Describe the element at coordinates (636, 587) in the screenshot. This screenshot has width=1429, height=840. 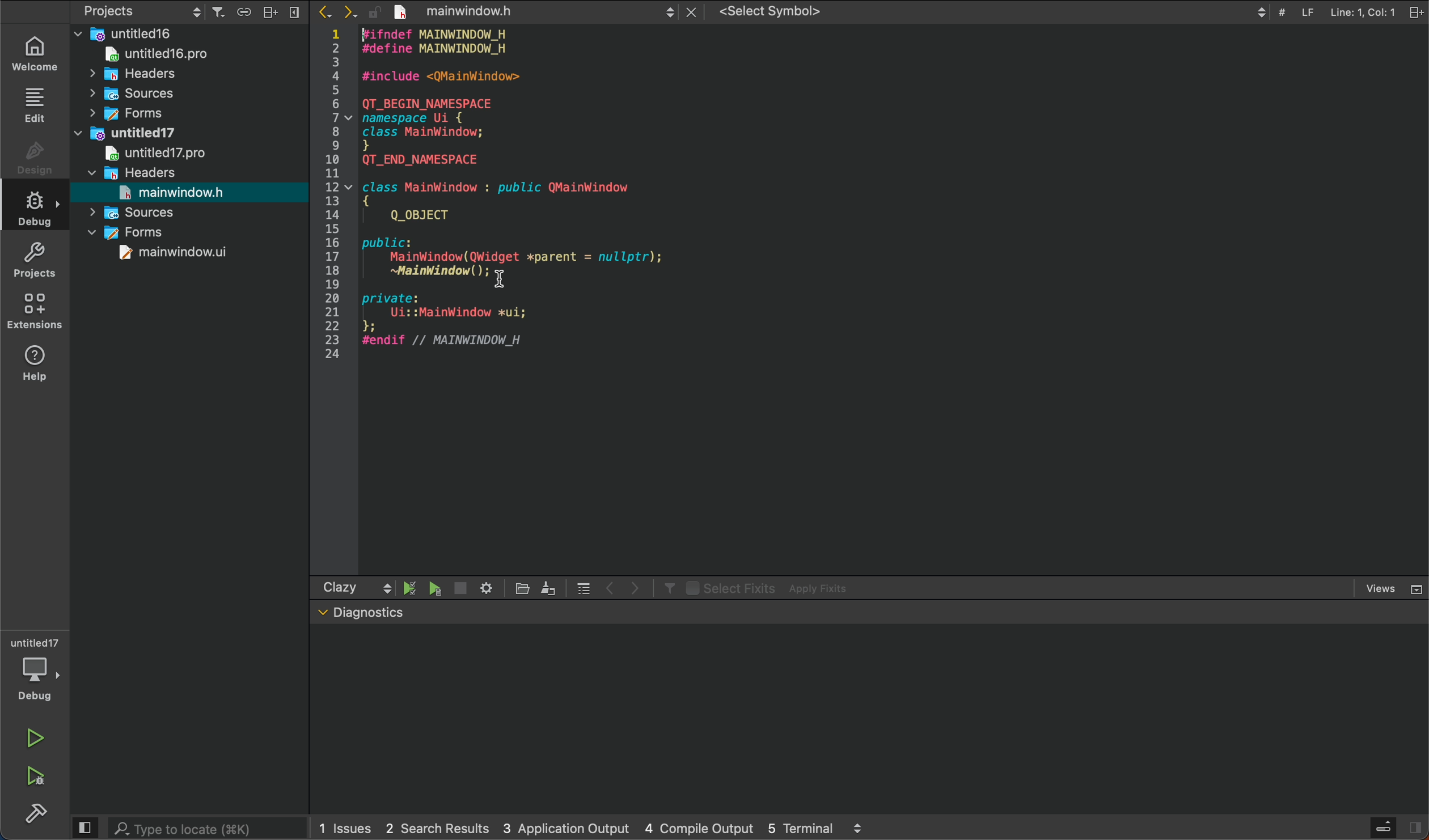
I see `Next` at that location.